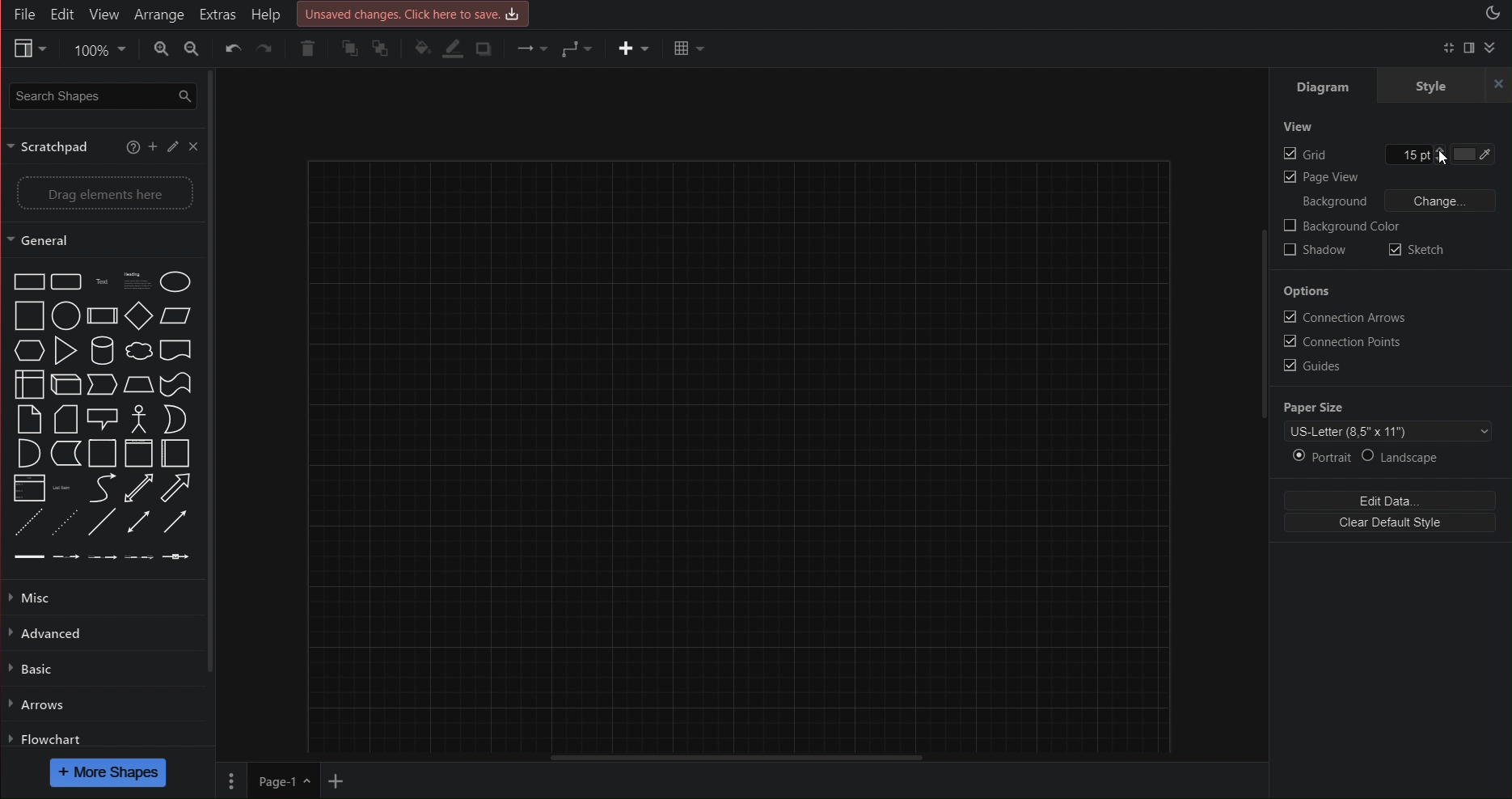 The image size is (1512, 799). What do you see at coordinates (1324, 87) in the screenshot?
I see `Diagram` at bounding box center [1324, 87].